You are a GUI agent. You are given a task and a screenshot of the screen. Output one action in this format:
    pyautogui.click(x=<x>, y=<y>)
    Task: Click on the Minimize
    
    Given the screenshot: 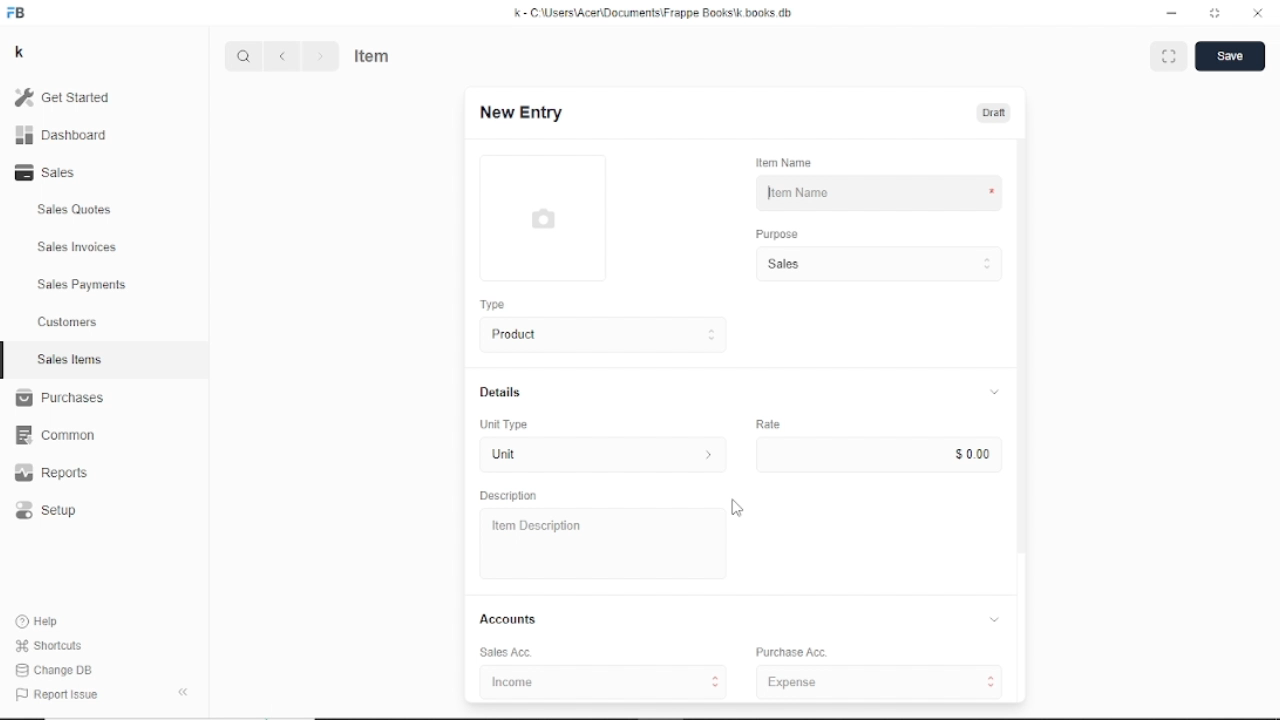 What is the action you would take?
    pyautogui.click(x=1173, y=14)
    